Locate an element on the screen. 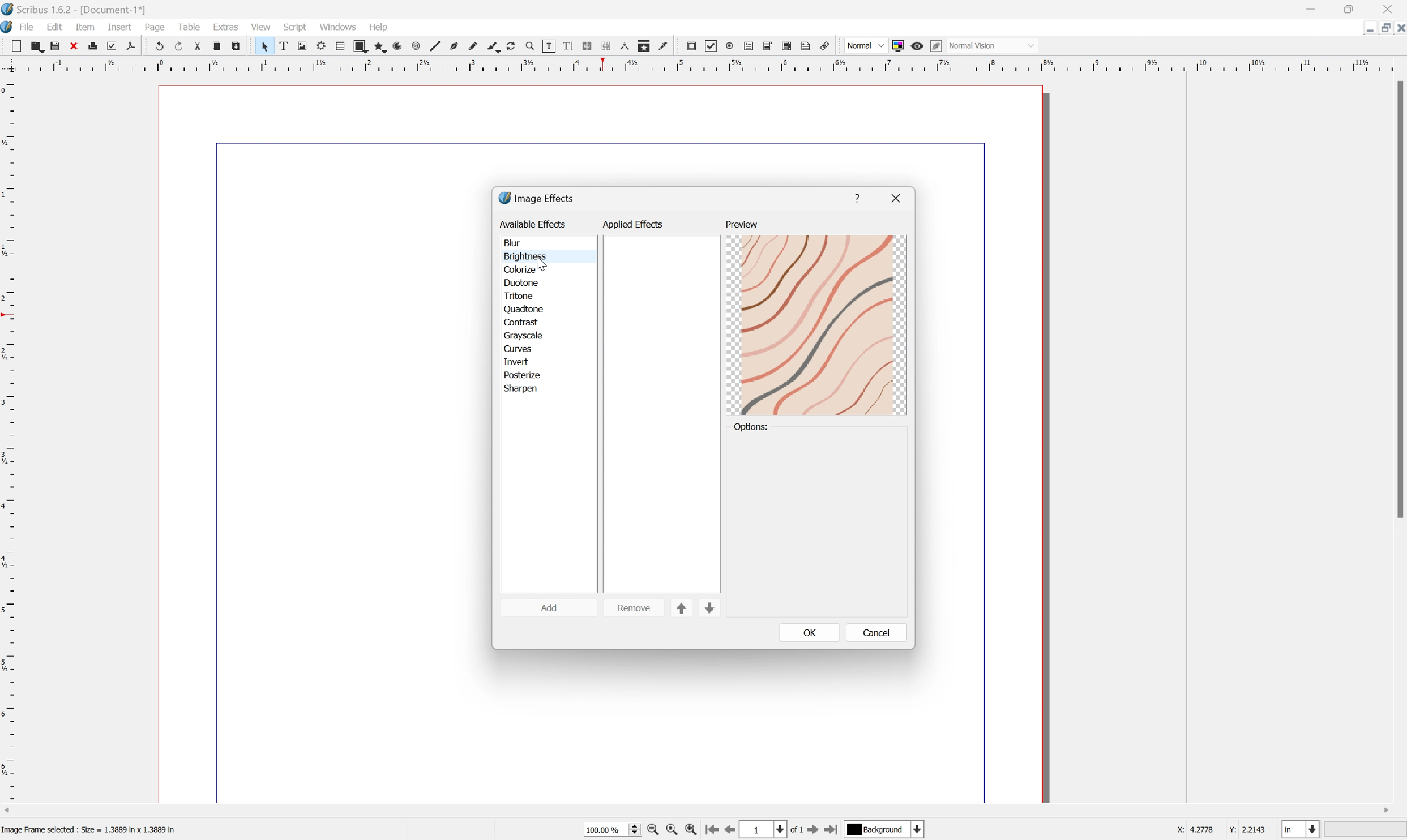 Image resolution: width=1407 pixels, height=840 pixels. Copy is located at coordinates (216, 46).